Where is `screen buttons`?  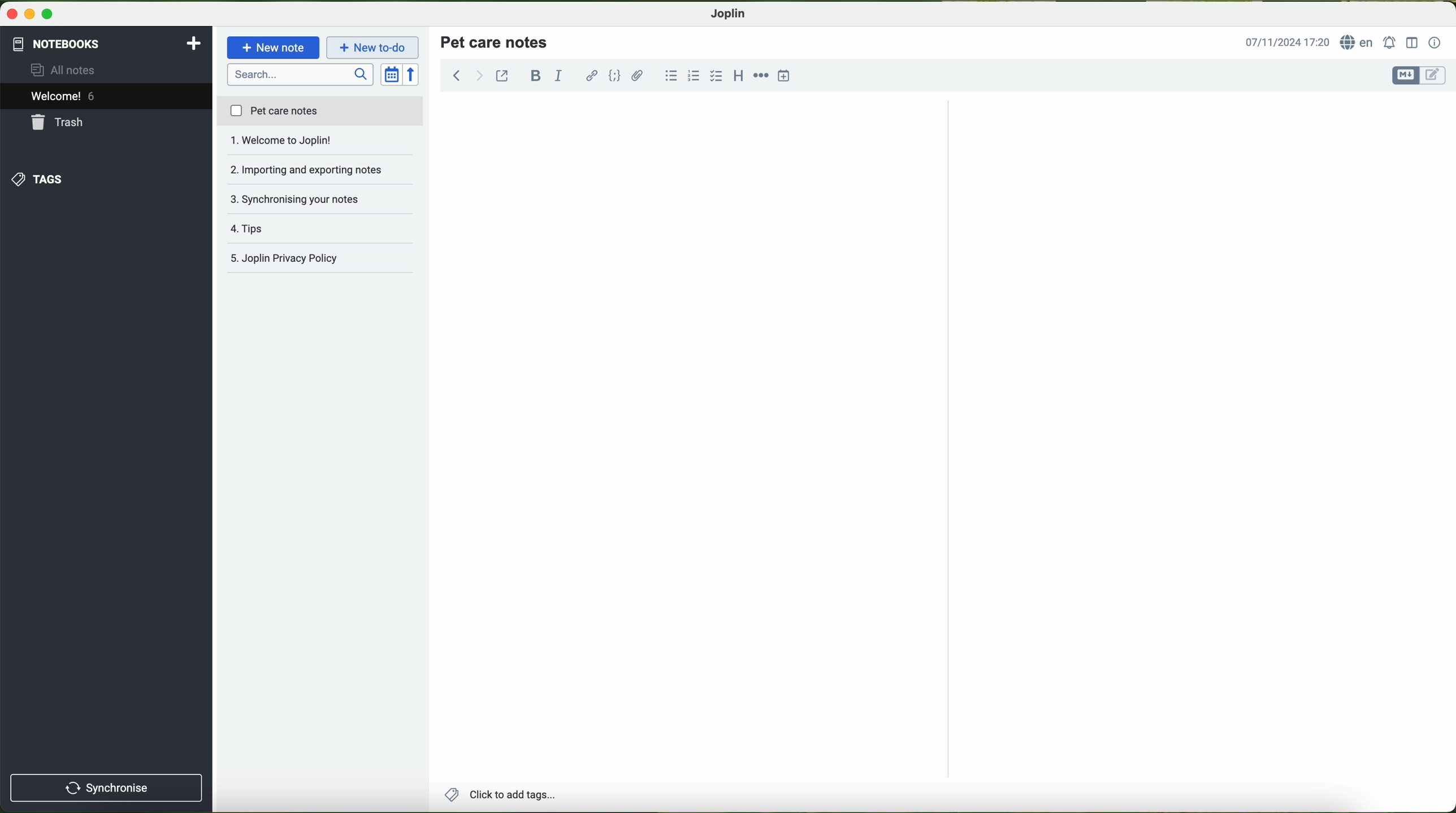
screen buttons is located at coordinates (28, 15).